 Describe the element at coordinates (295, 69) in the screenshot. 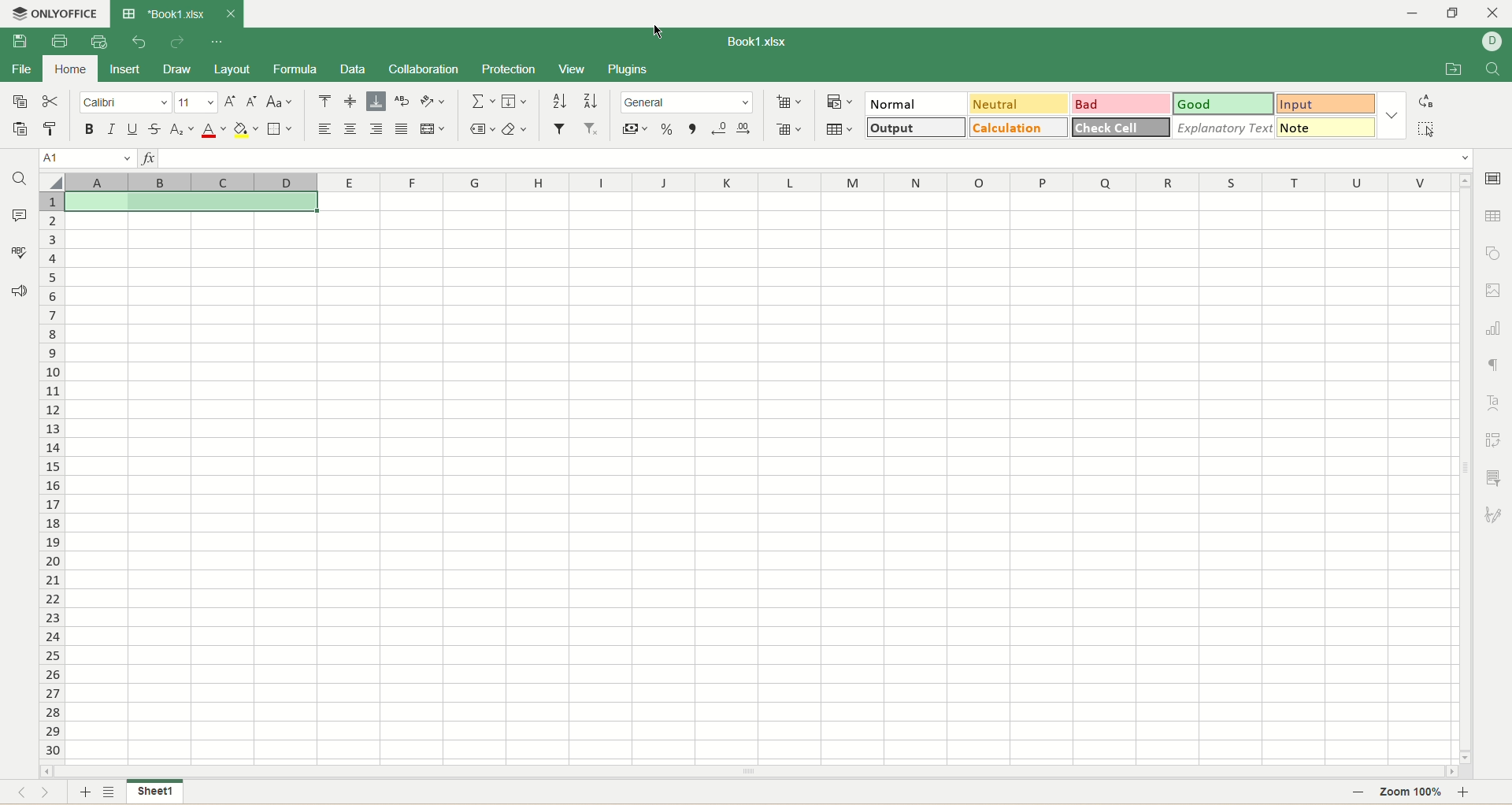

I see `formula` at that location.